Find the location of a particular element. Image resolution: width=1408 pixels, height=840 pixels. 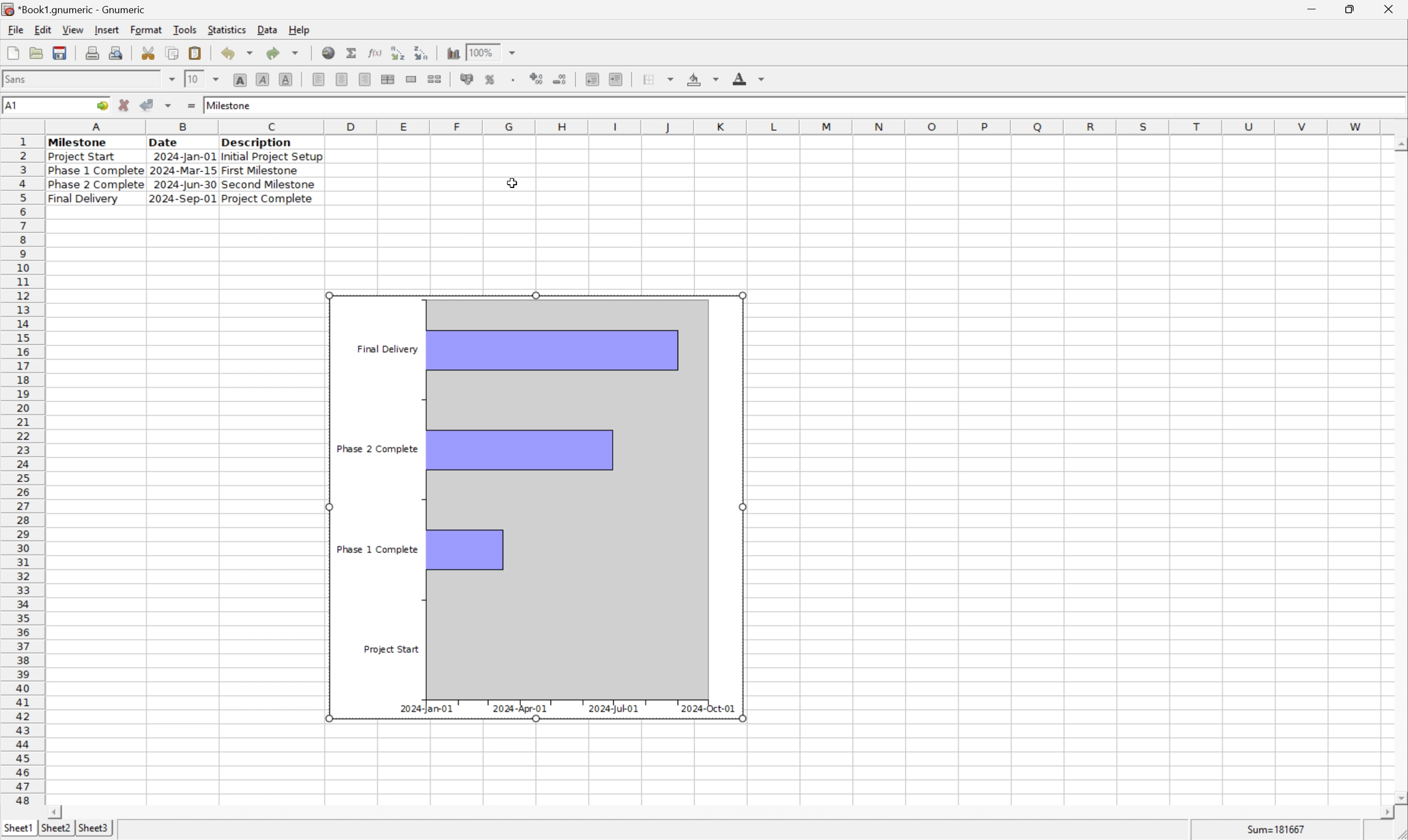

drop down is located at coordinates (217, 78).